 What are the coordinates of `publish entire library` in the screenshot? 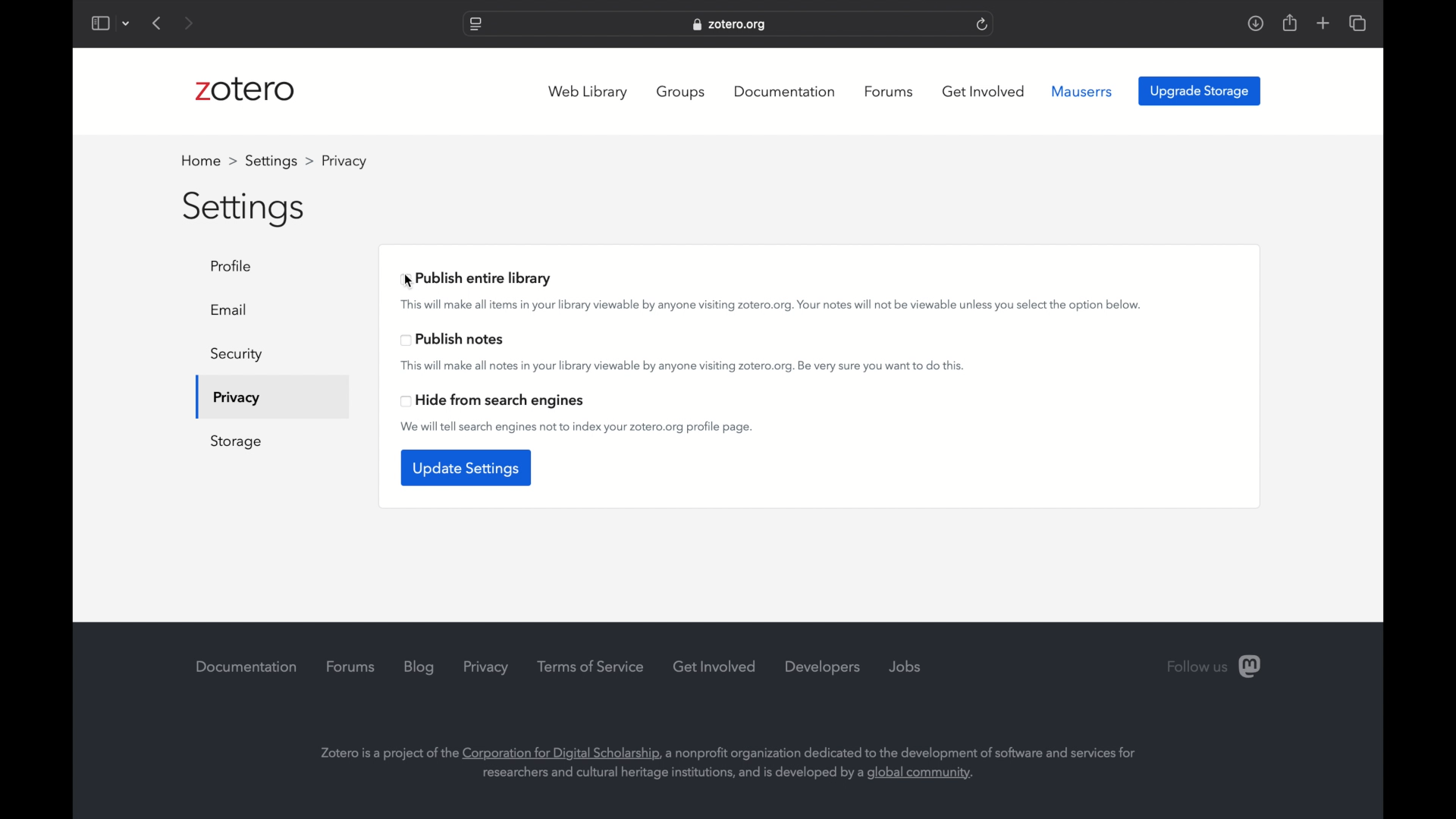 It's located at (478, 278).